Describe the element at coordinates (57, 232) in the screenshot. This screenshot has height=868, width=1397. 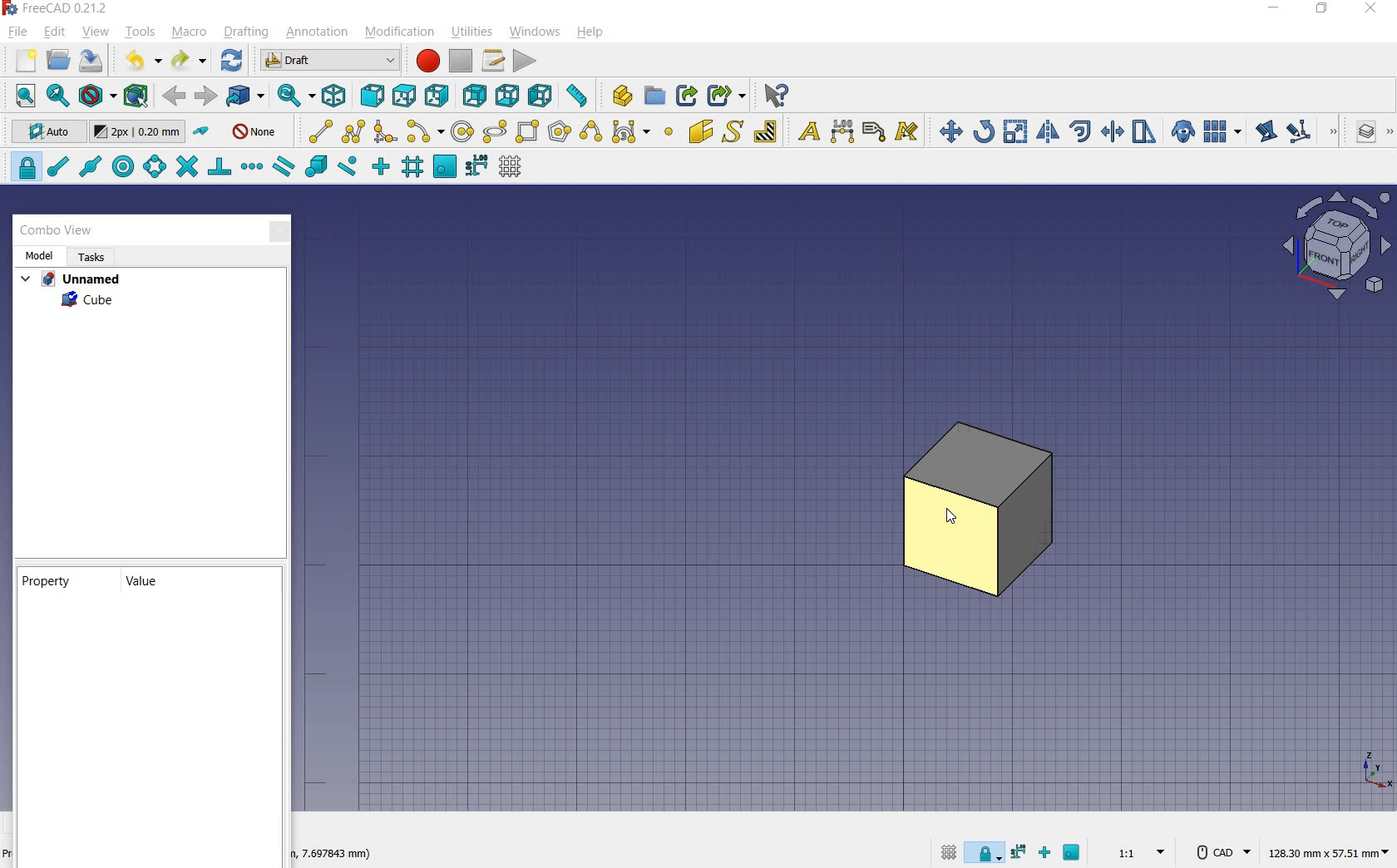
I see `combo view` at that location.